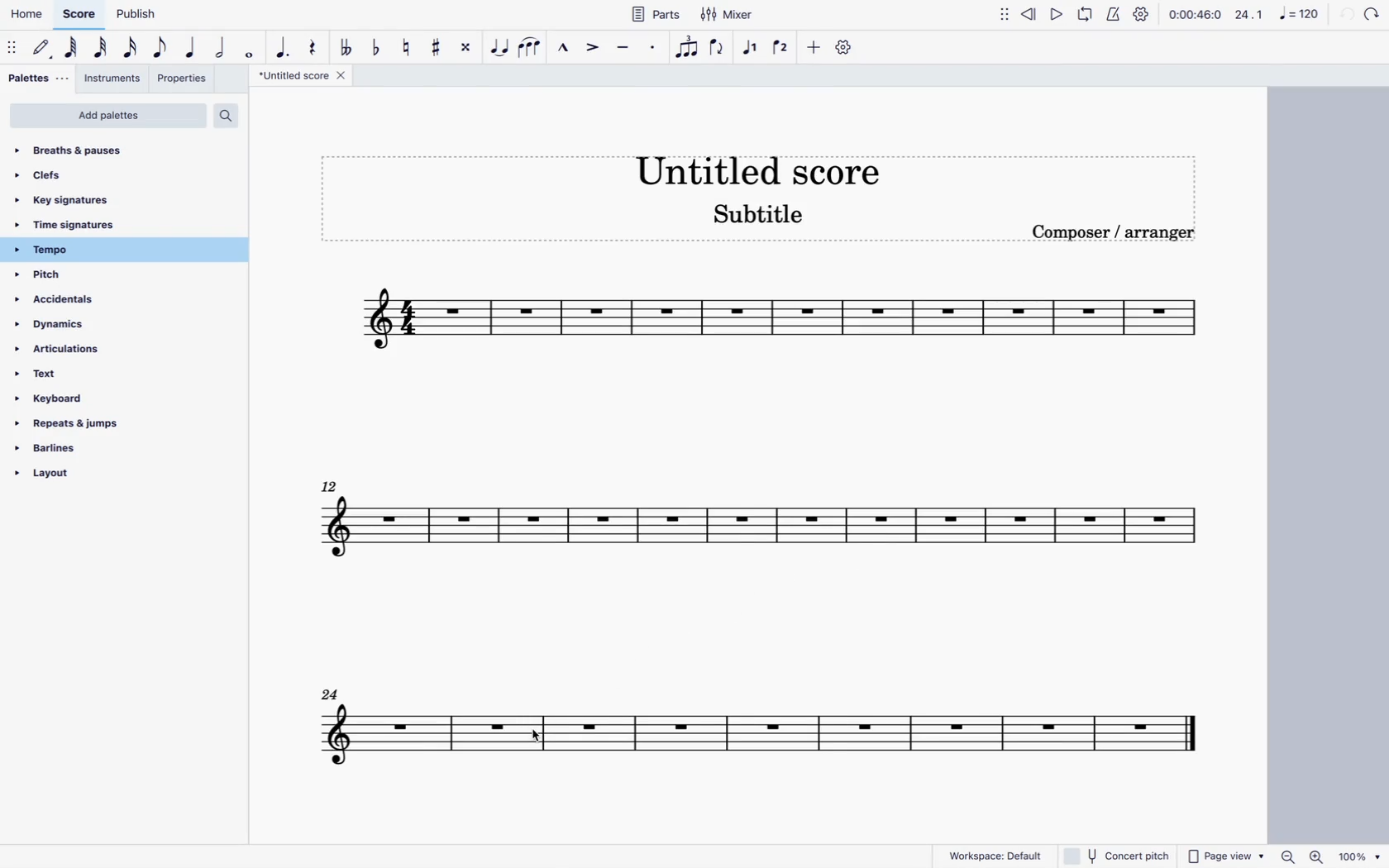 The width and height of the screenshot is (1389, 868). What do you see at coordinates (1372, 13) in the screenshot?
I see `forward` at bounding box center [1372, 13].